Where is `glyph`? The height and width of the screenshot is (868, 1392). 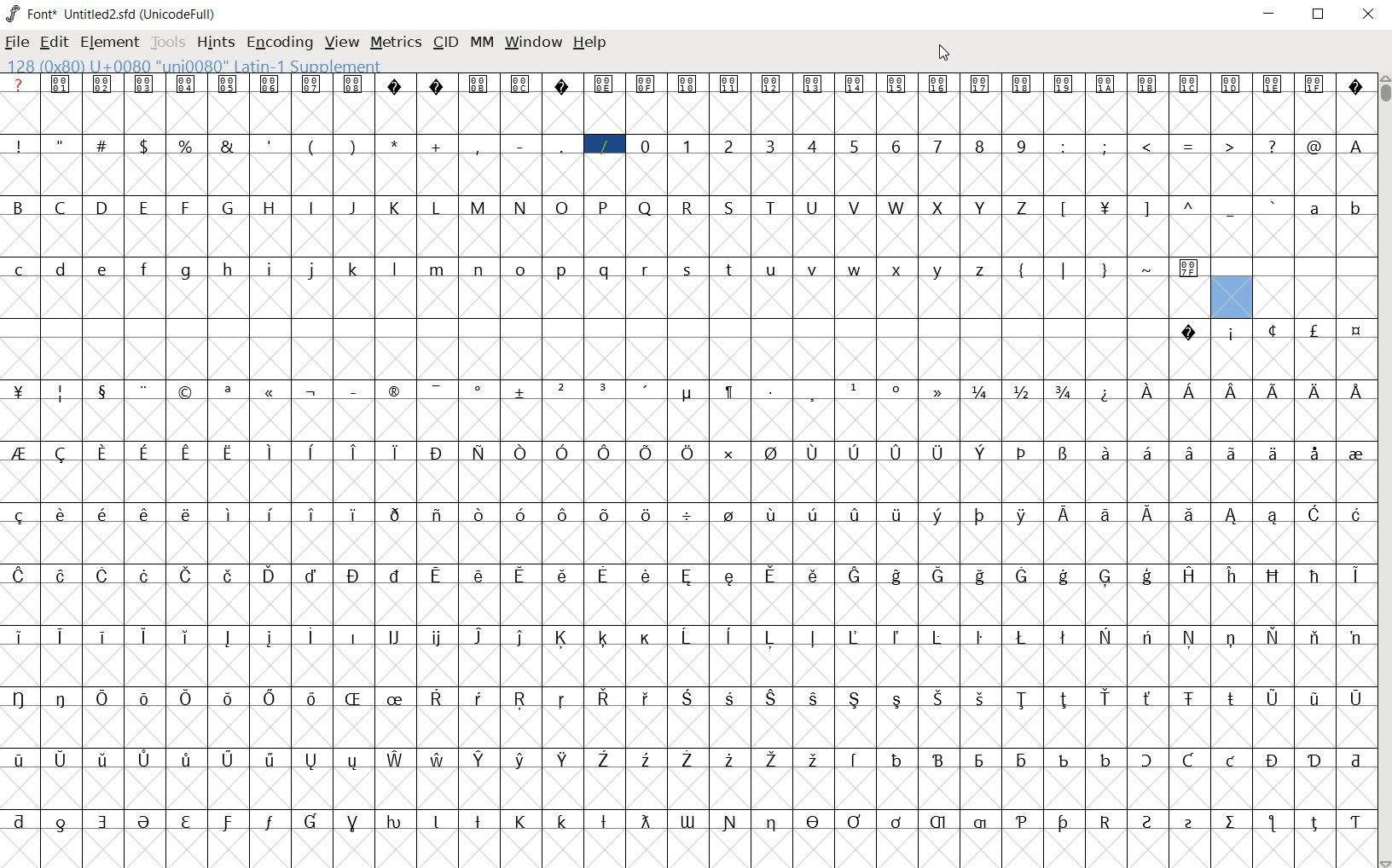
glyph is located at coordinates (1190, 148).